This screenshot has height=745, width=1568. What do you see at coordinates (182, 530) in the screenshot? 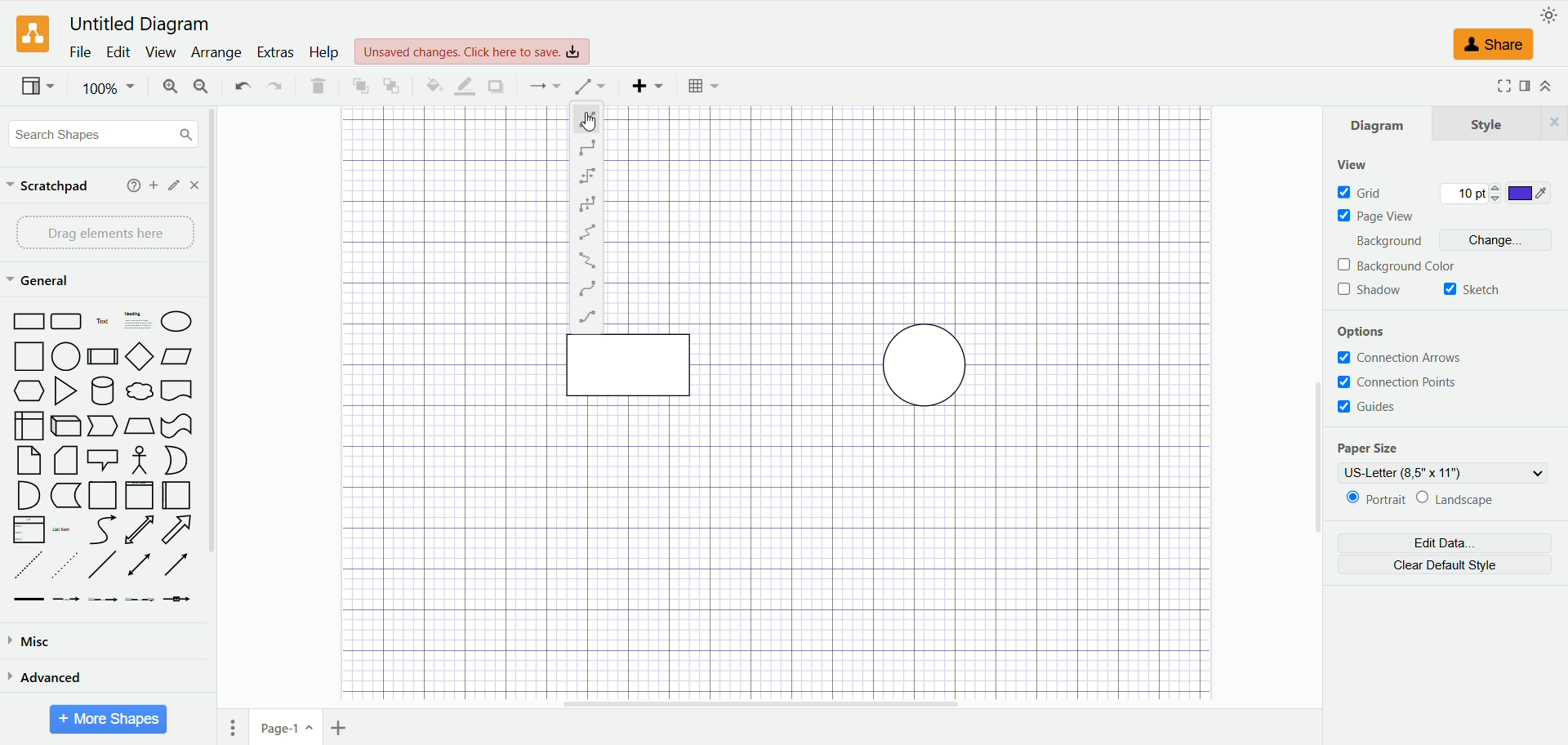
I see `Arrow` at bounding box center [182, 530].